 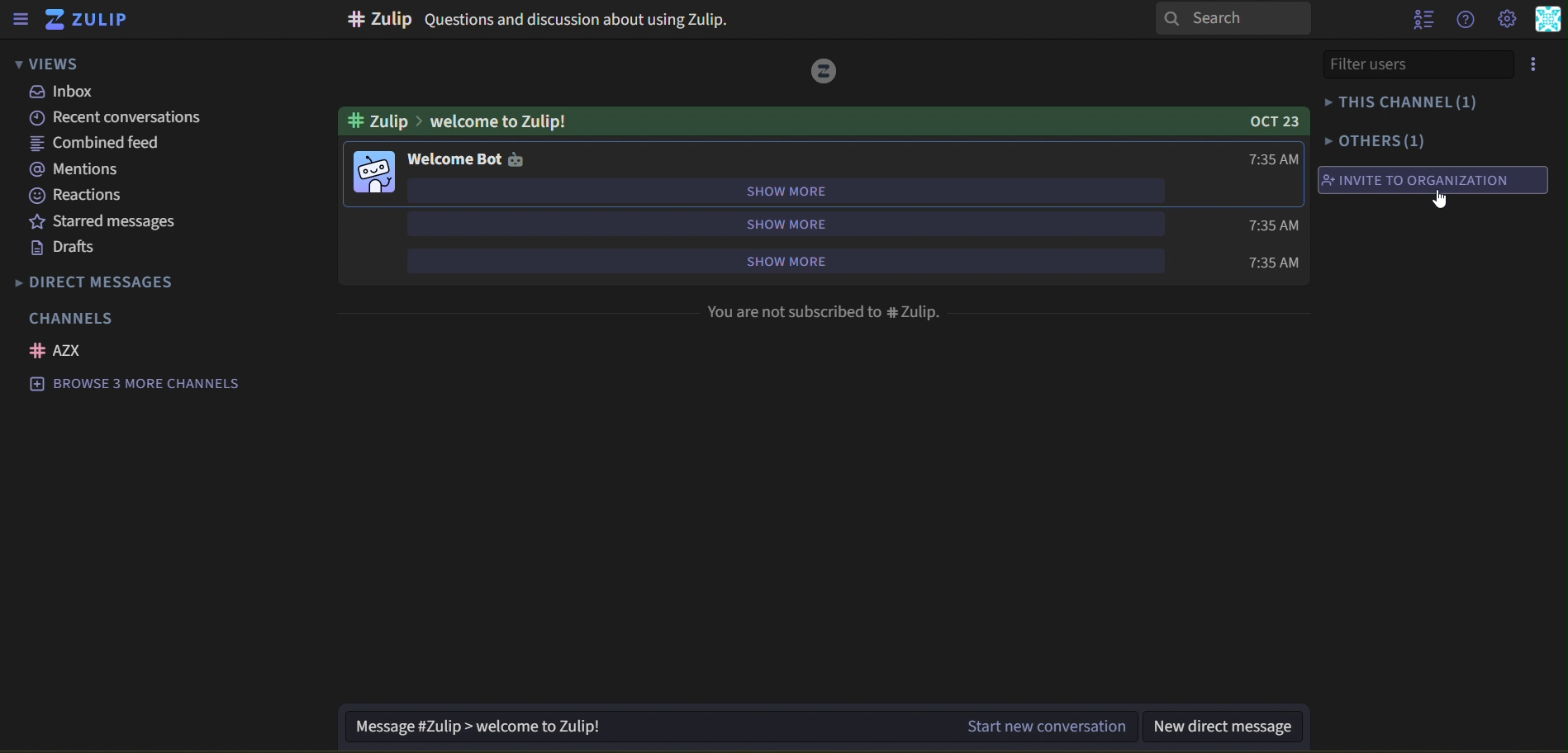 What do you see at coordinates (1271, 262) in the screenshot?
I see `time` at bounding box center [1271, 262].